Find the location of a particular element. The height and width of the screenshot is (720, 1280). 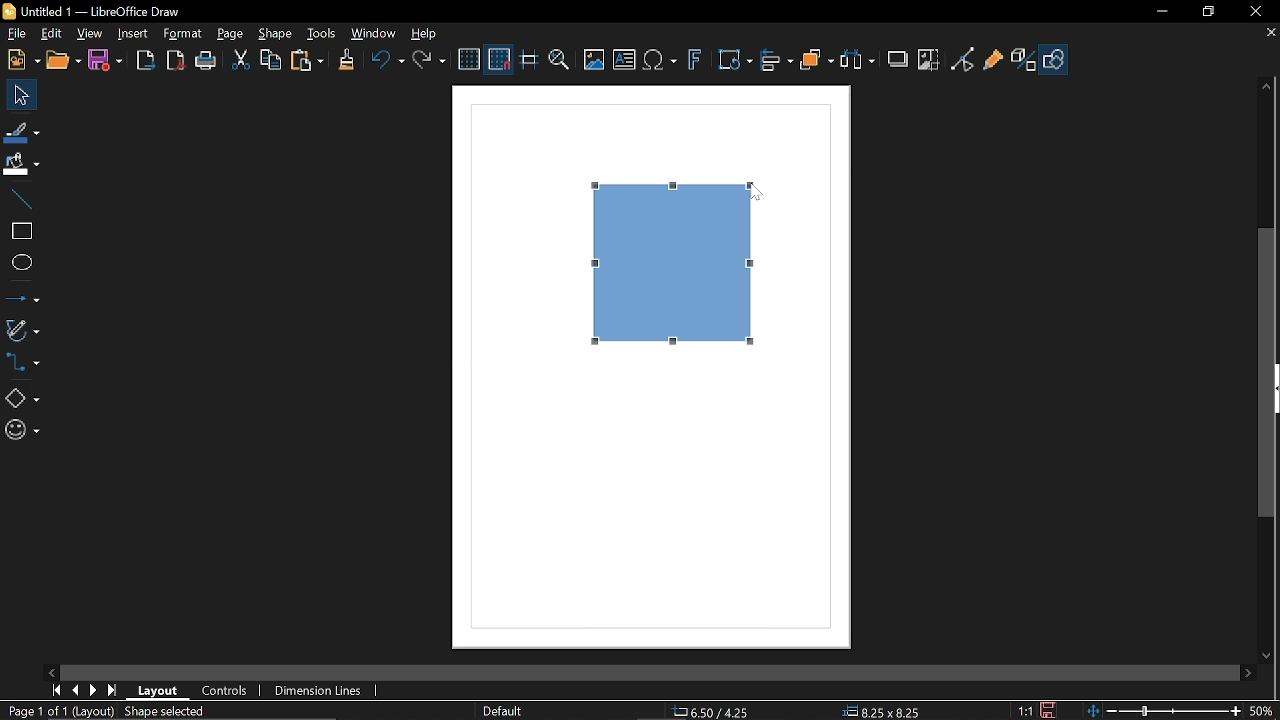

Glue is located at coordinates (994, 62).